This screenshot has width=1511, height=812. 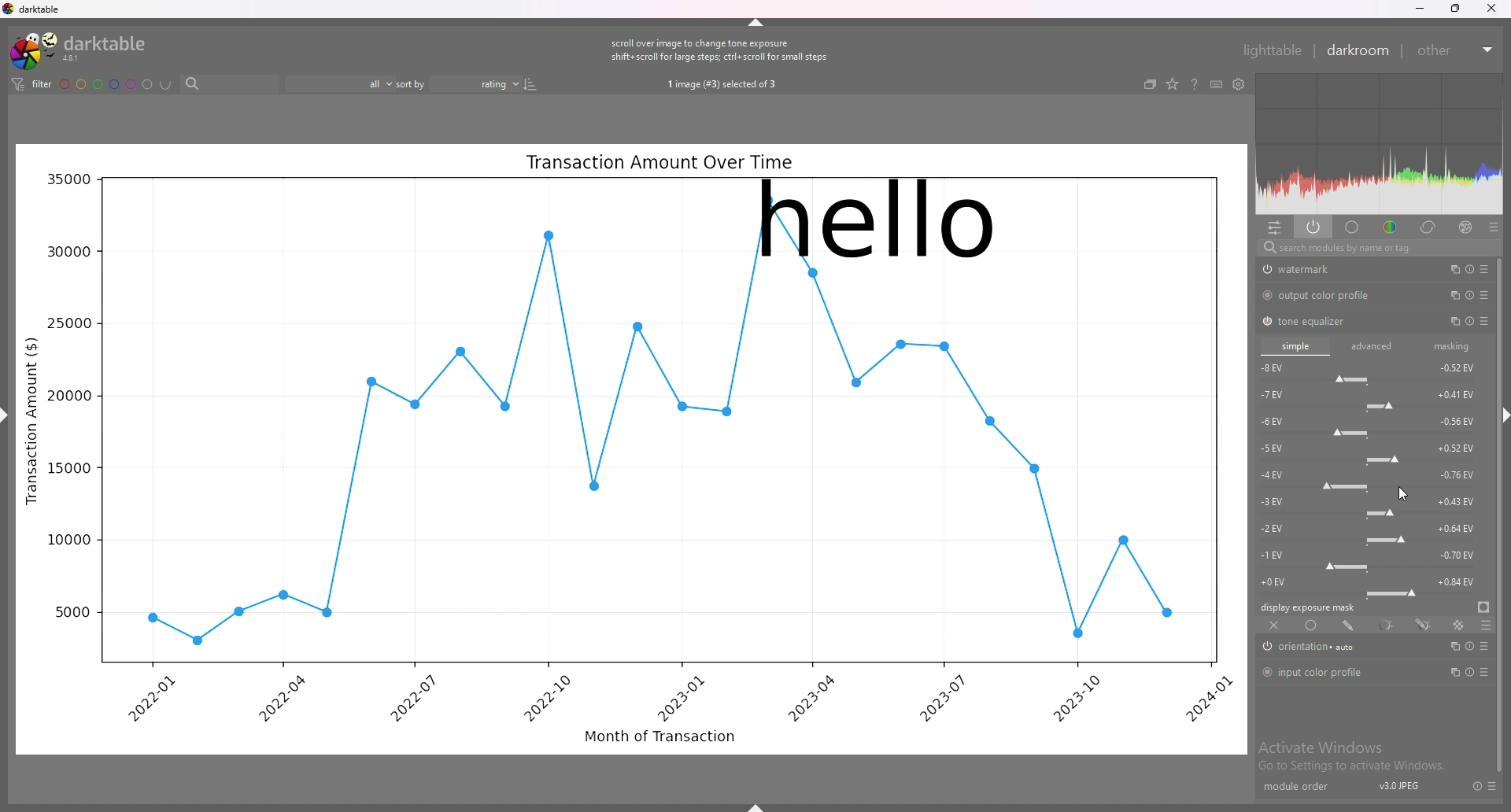 I want to click on 25000, so click(x=68, y=322).